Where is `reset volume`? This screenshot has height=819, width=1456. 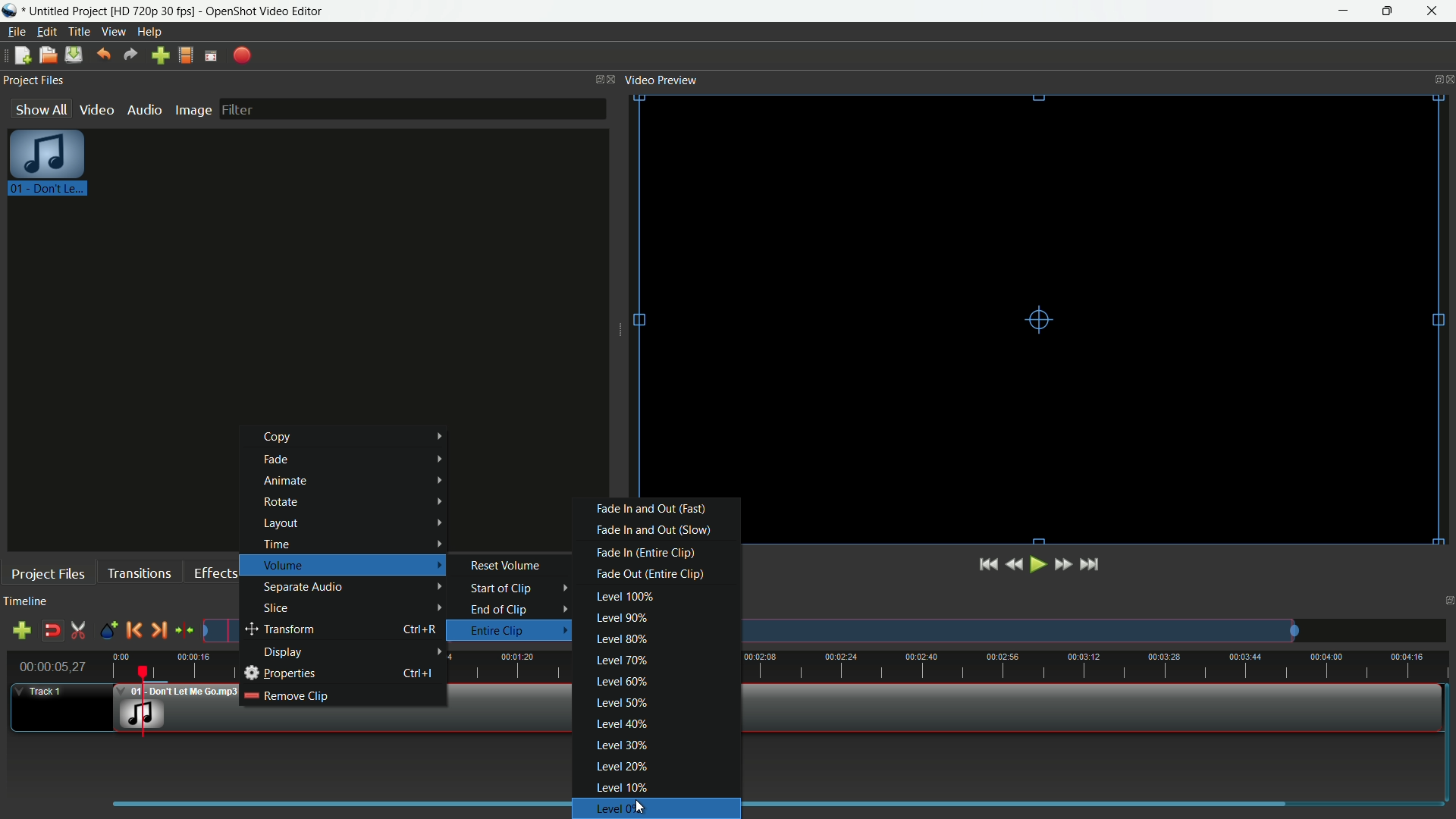 reset volume is located at coordinates (507, 565).